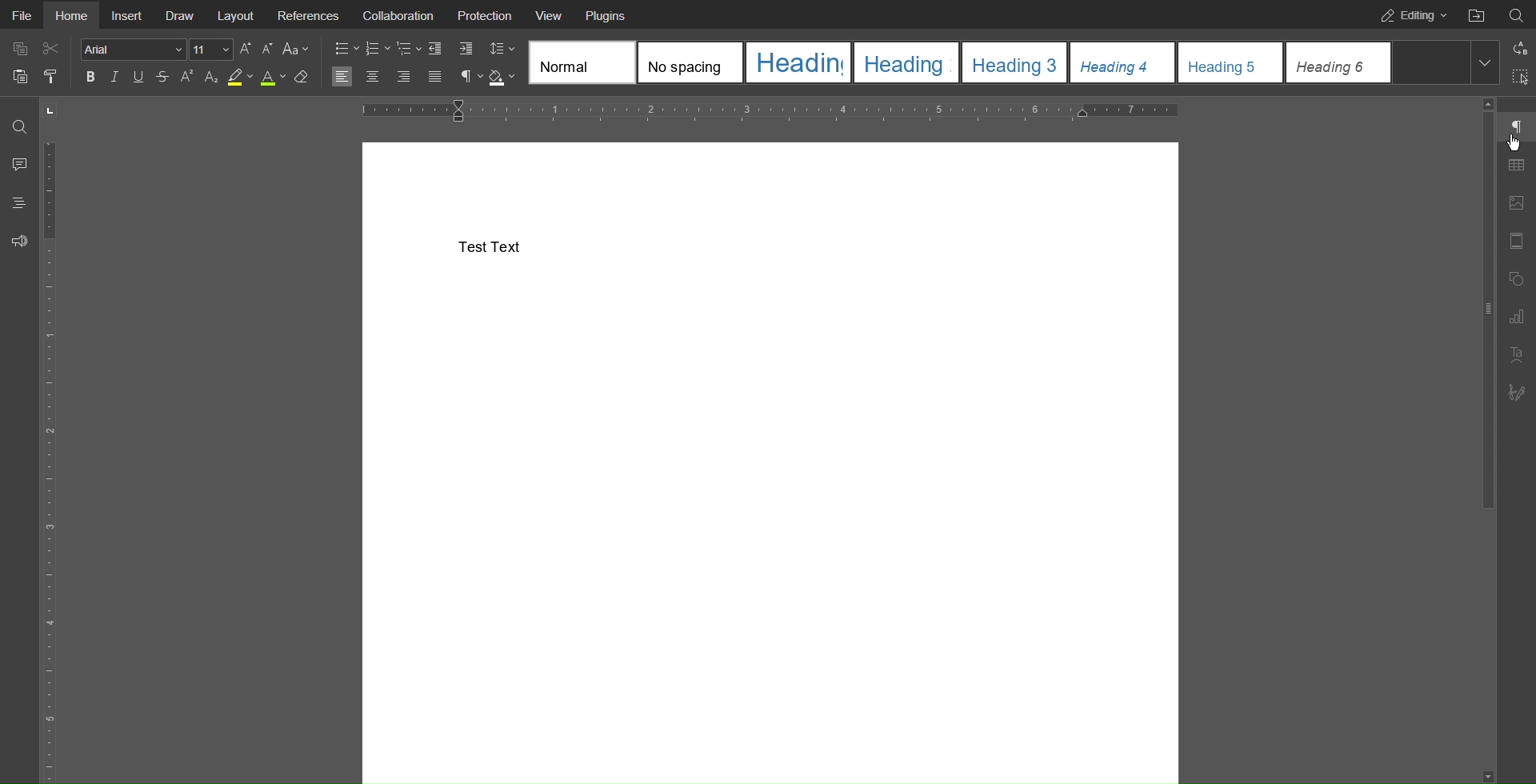 This screenshot has width=1536, height=784. What do you see at coordinates (450, 50) in the screenshot?
I see `Indents` at bounding box center [450, 50].